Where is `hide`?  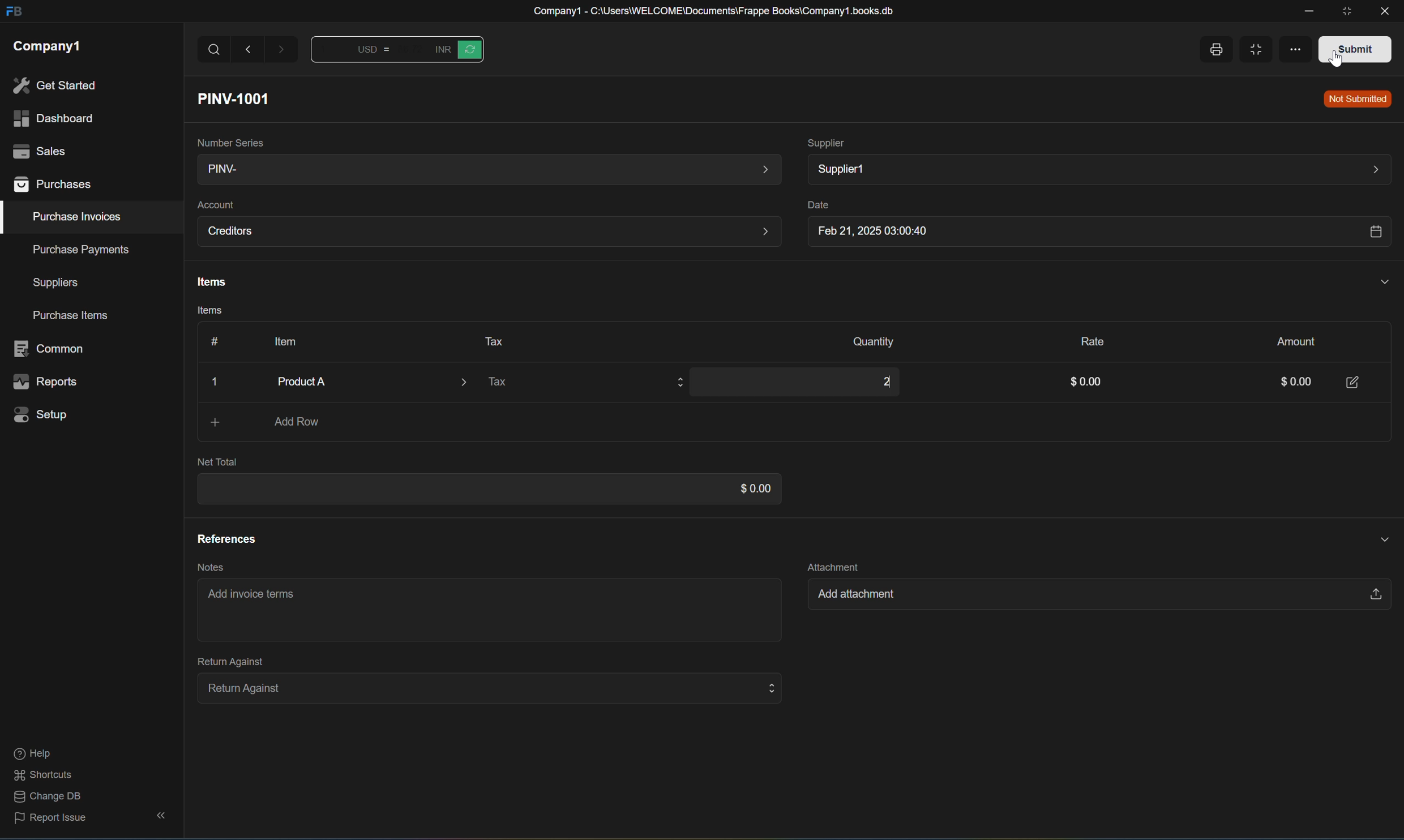
hide is located at coordinates (158, 816).